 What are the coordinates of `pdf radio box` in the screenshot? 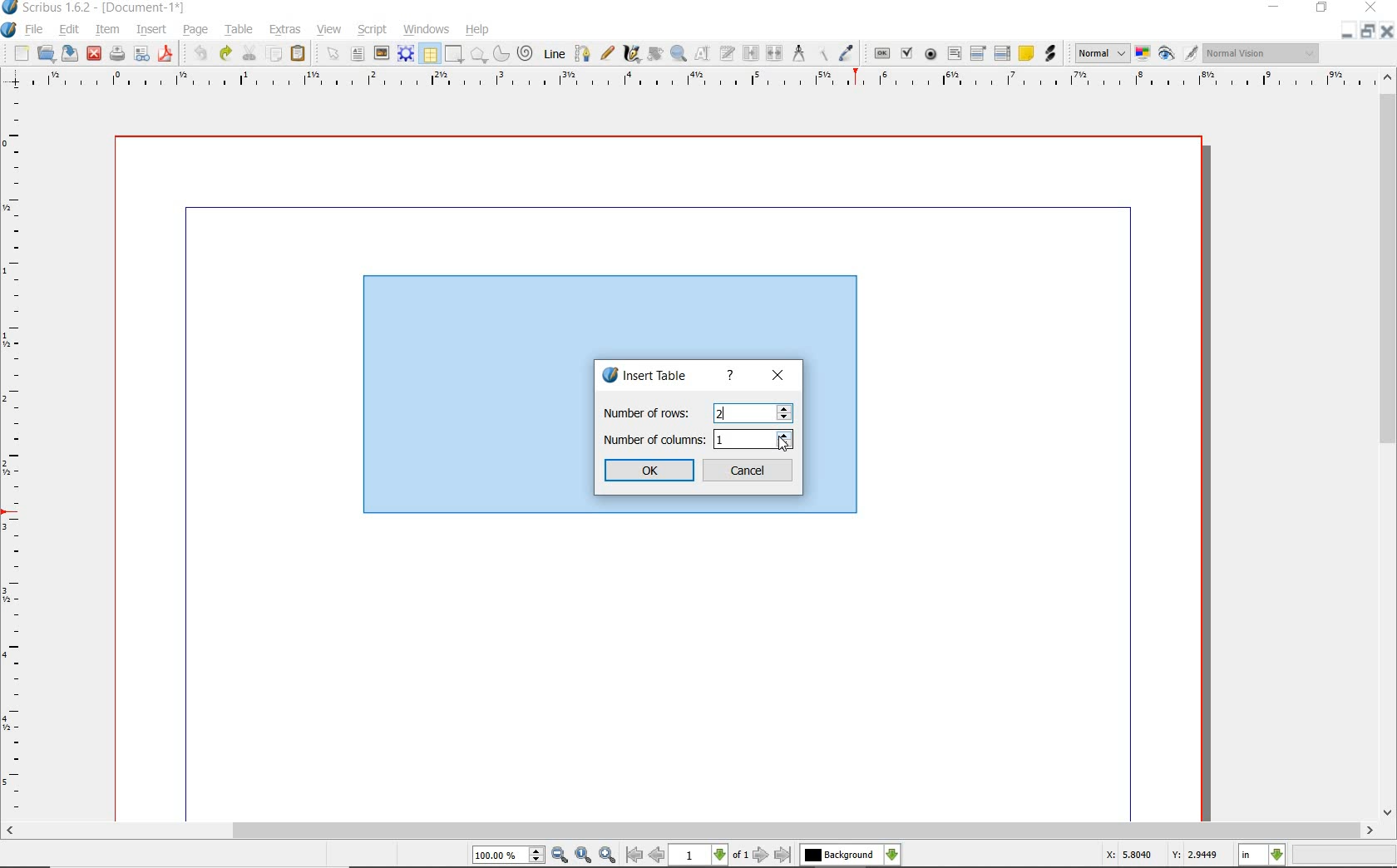 It's located at (931, 55).